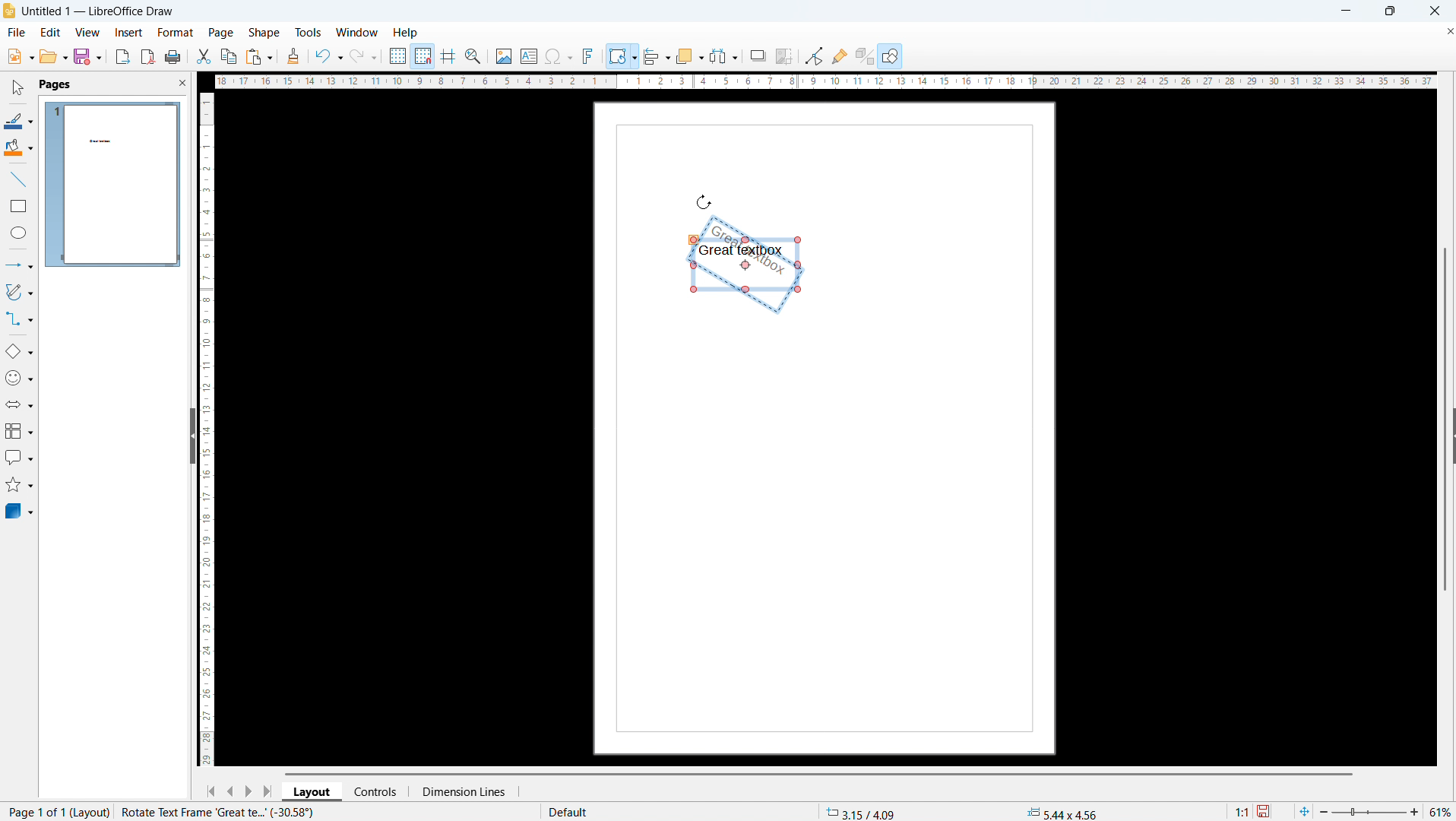  What do you see at coordinates (589, 55) in the screenshot?
I see `insert fontwork text` at bounding box center [589, 55].